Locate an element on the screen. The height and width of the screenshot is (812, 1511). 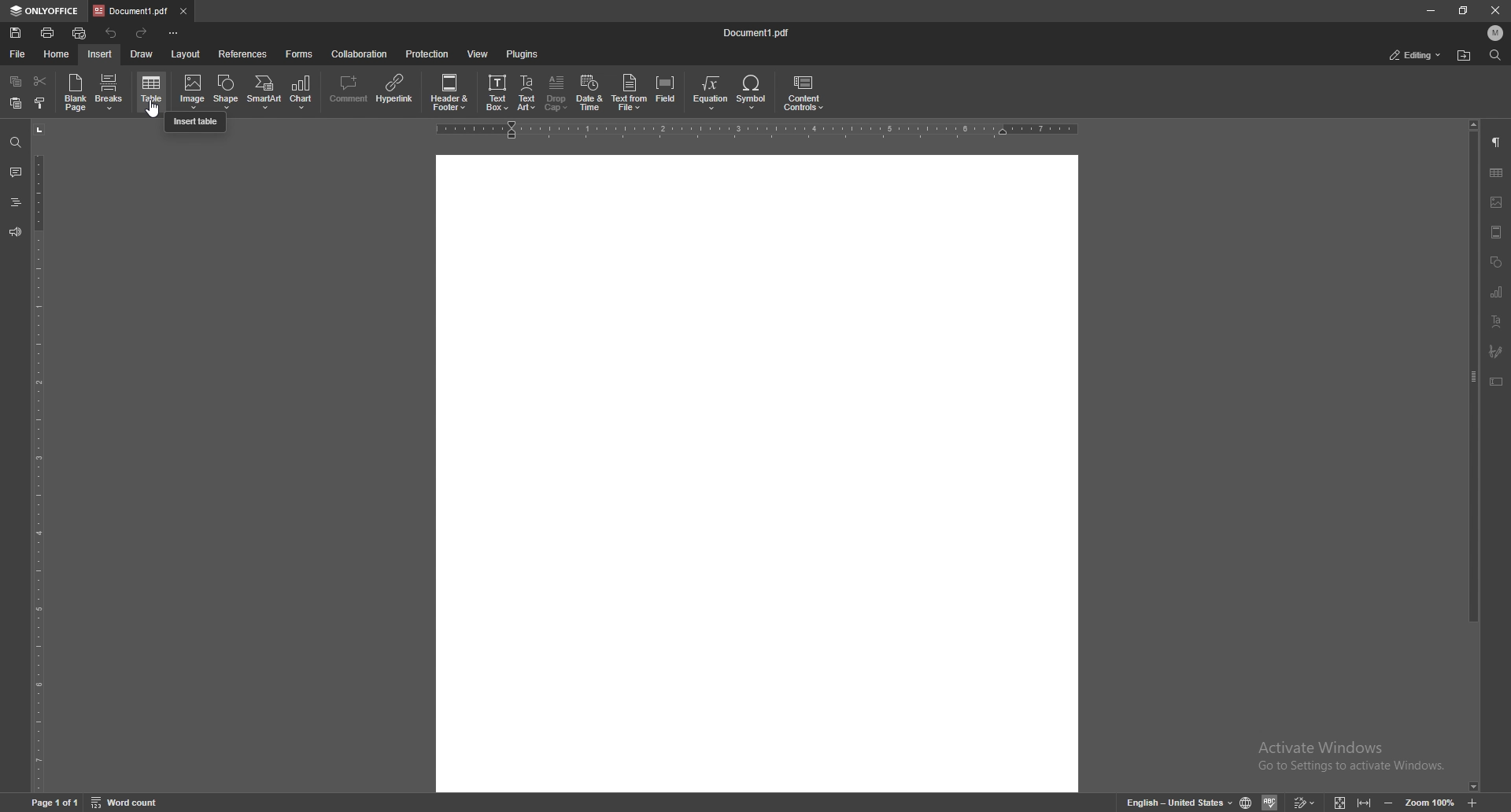
paragraph is located at coordinates (1498, 141).